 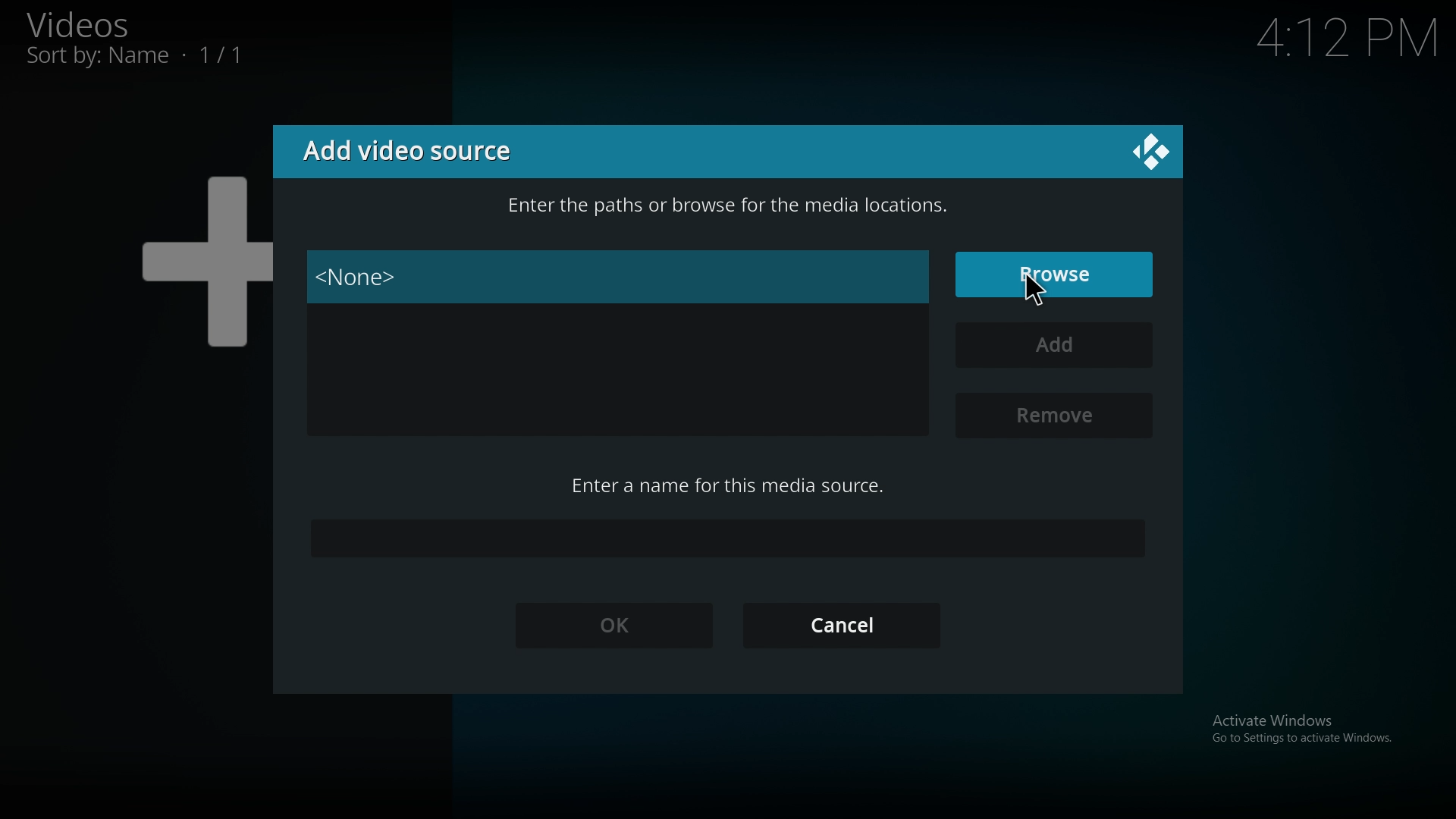 I want to click on add video source, so click(x=423, y=152).